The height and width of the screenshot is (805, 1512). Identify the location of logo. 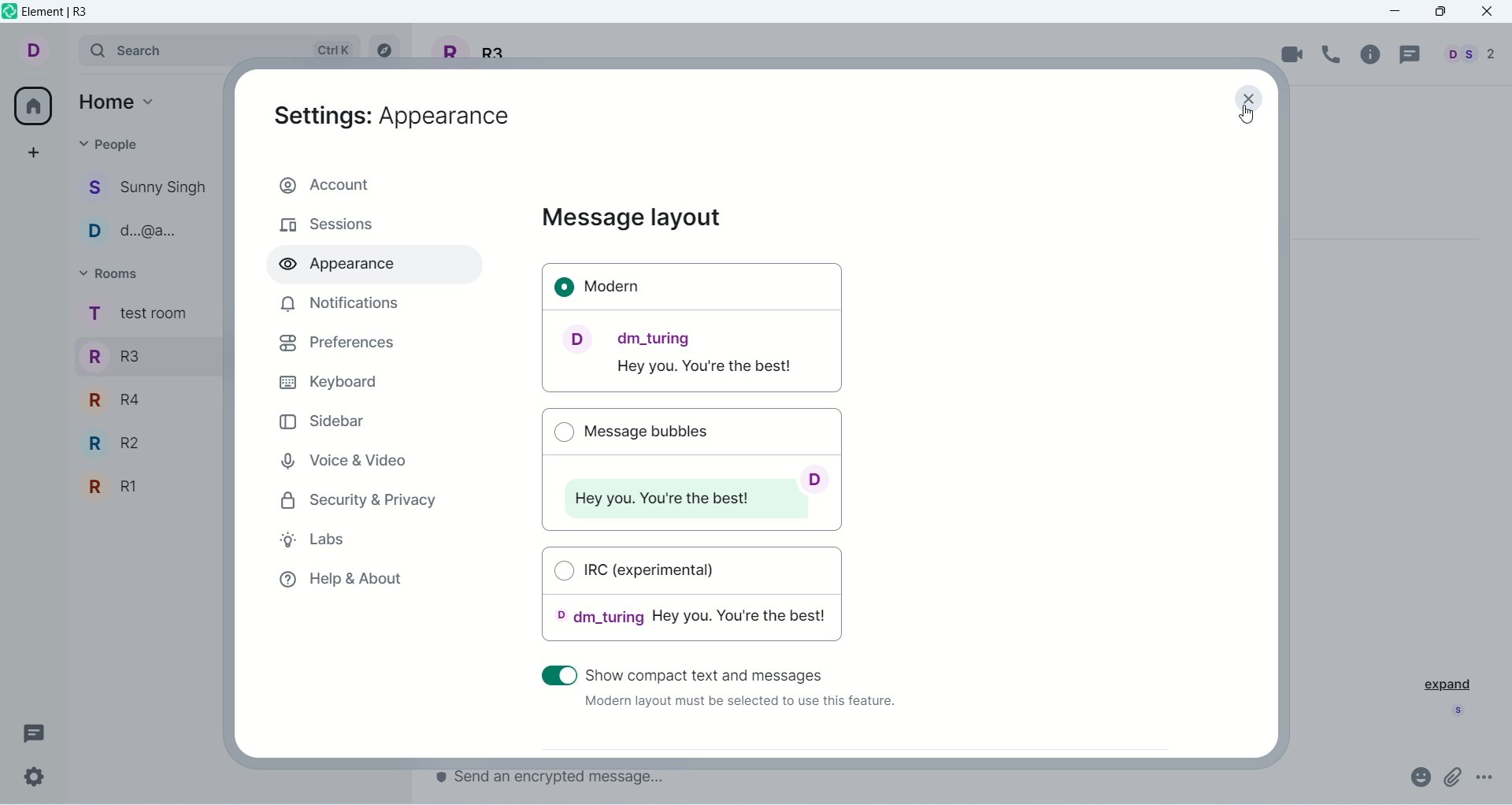
(9, 14).